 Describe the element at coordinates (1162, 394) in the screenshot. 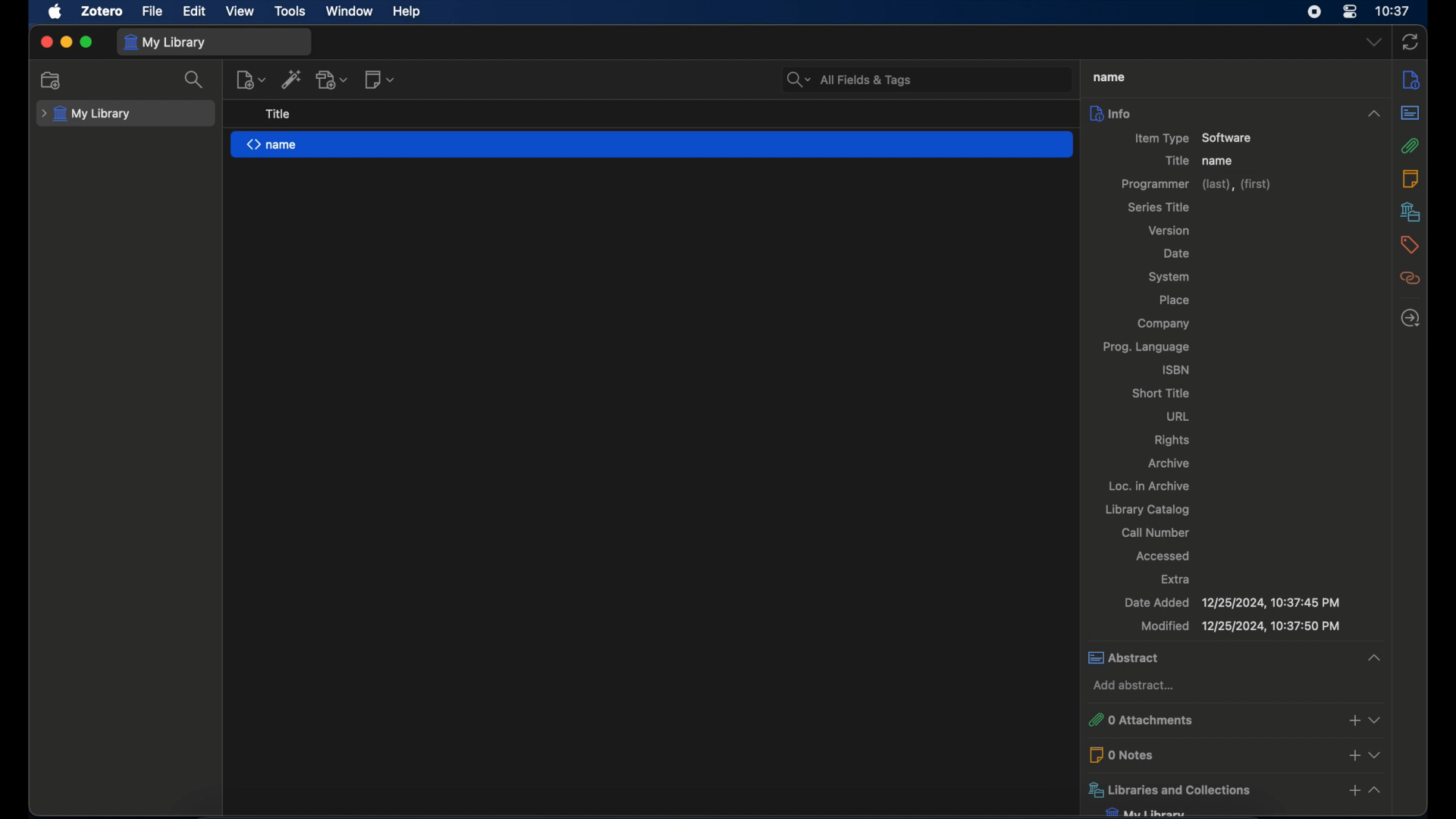

I see `short title` at that location.